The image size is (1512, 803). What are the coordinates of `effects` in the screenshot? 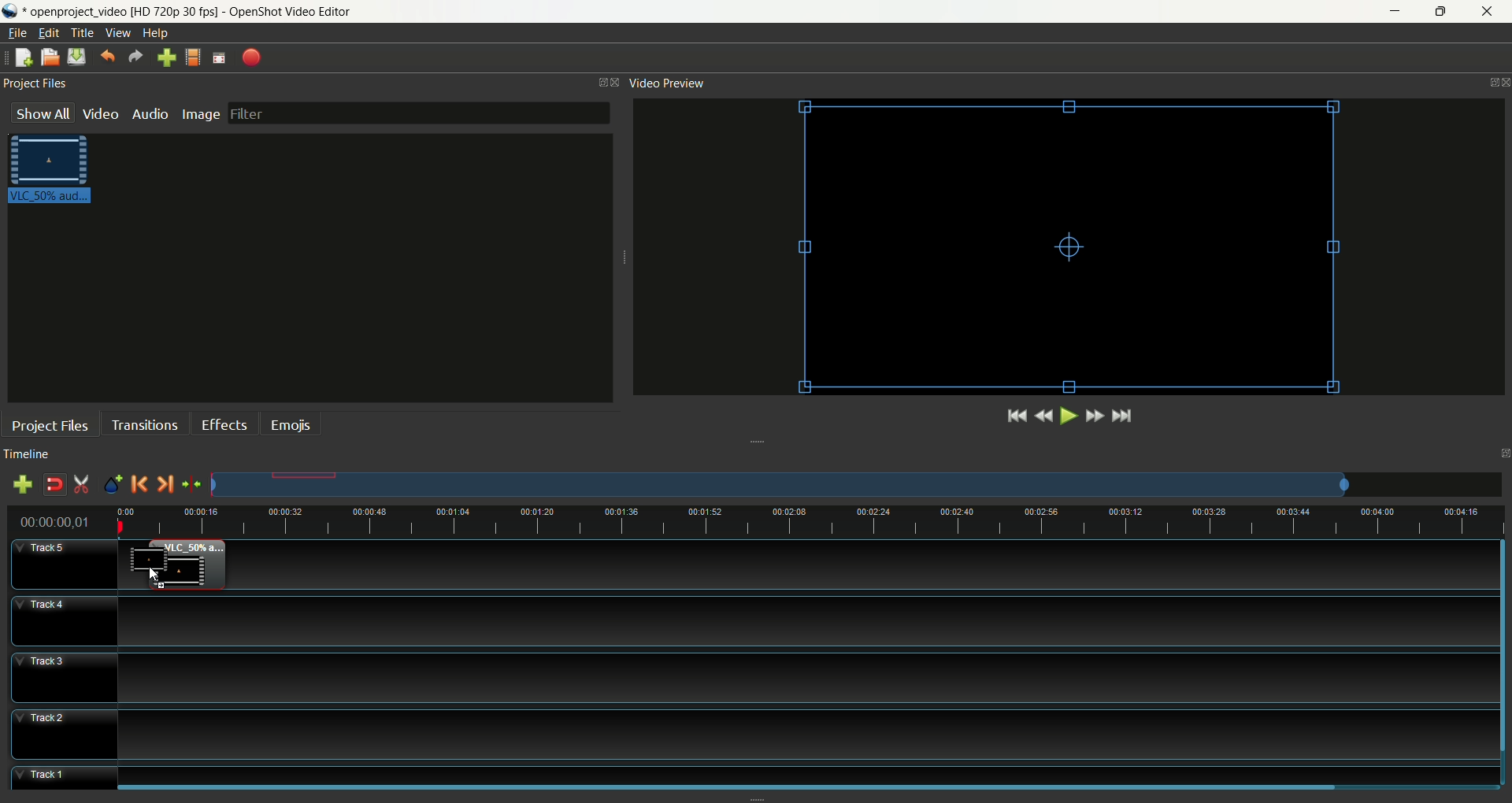 It's located at (223, 424).